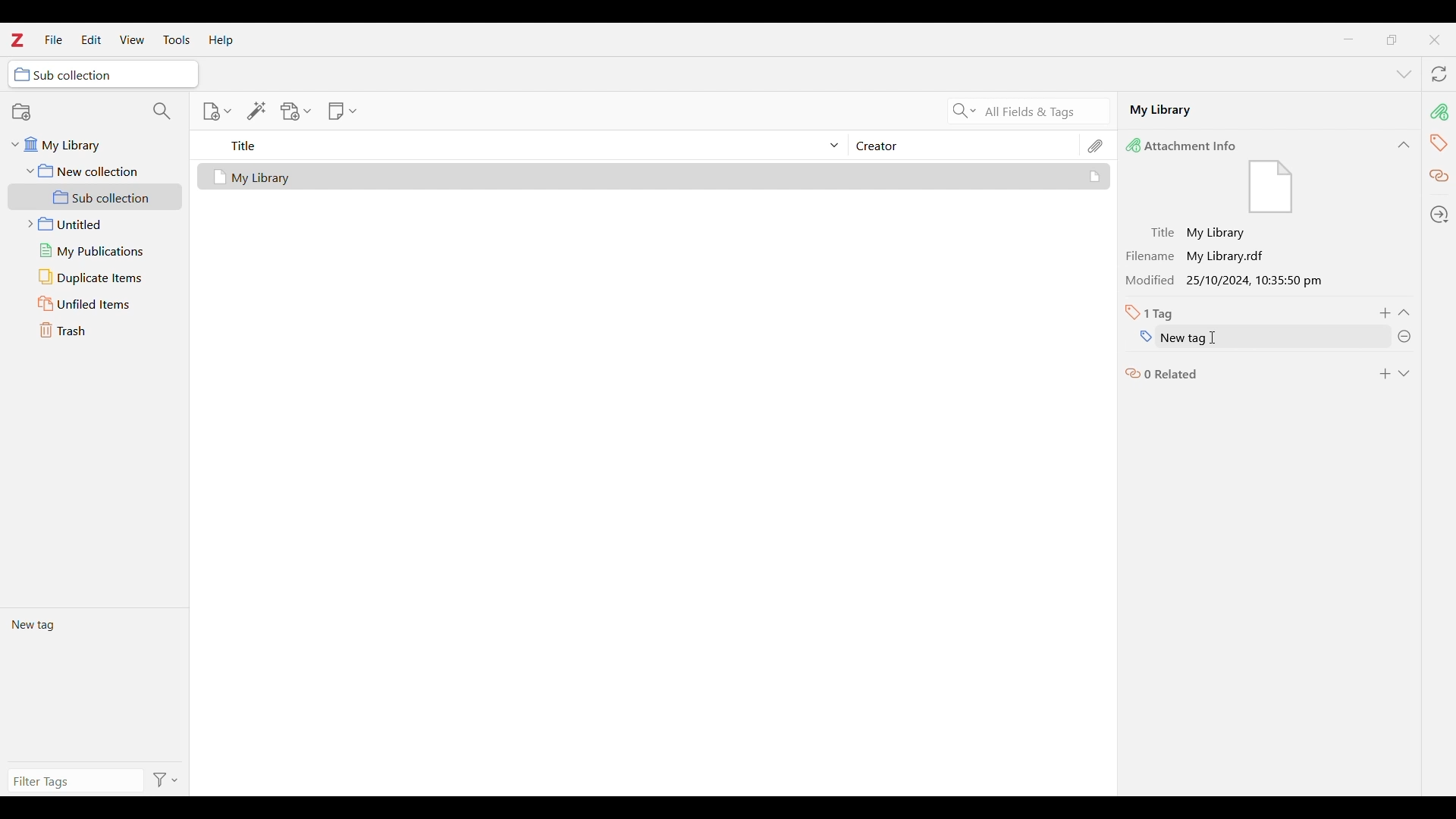 Image resolution: width=1456 pixels, height=819 pixels. Describe the element at coordinates (257, 111) in the screenshot. I see `Add item/s by identifier` at that location.